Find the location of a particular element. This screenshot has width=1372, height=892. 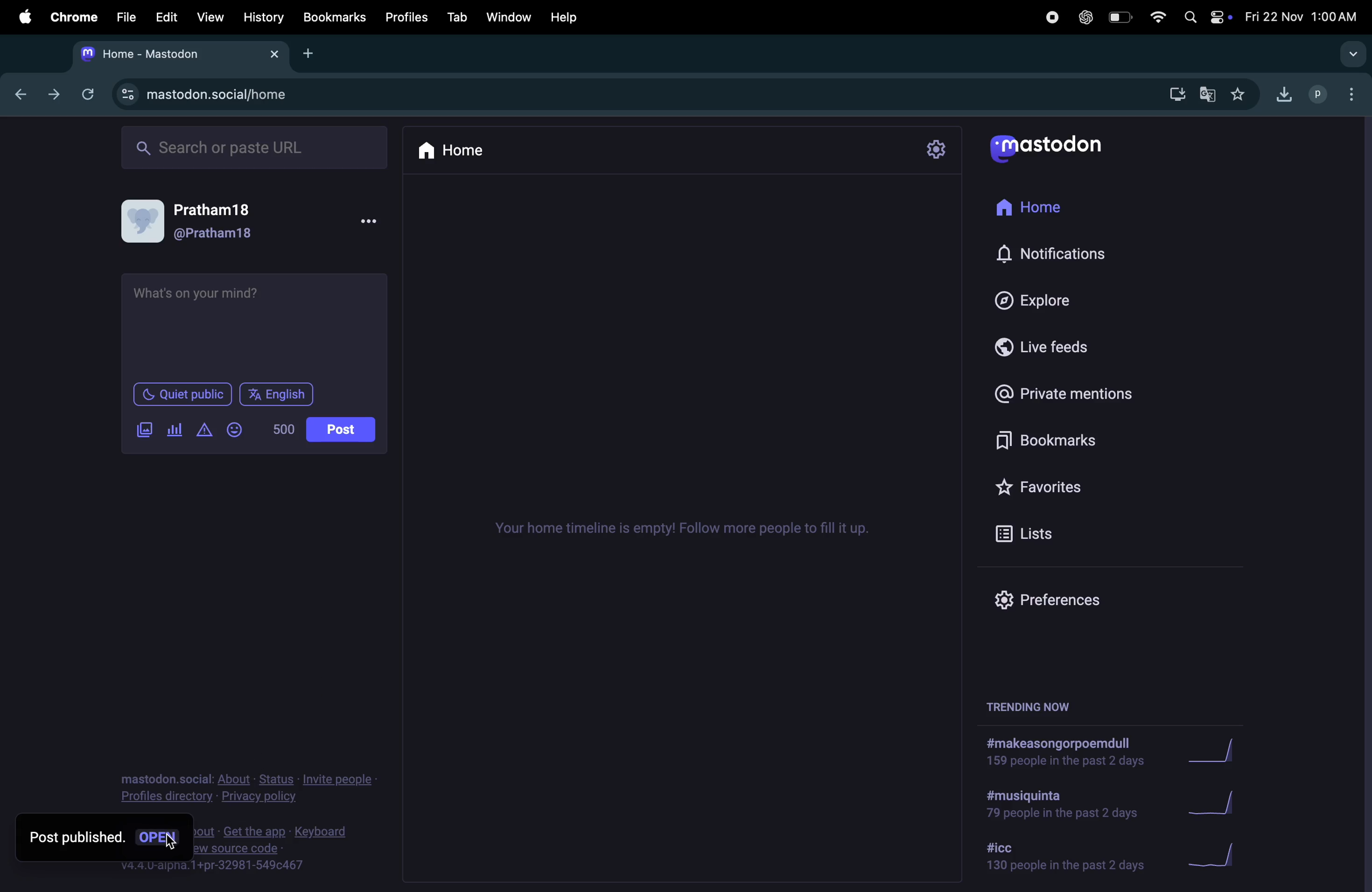

edit is located at coordinates (166, 17).